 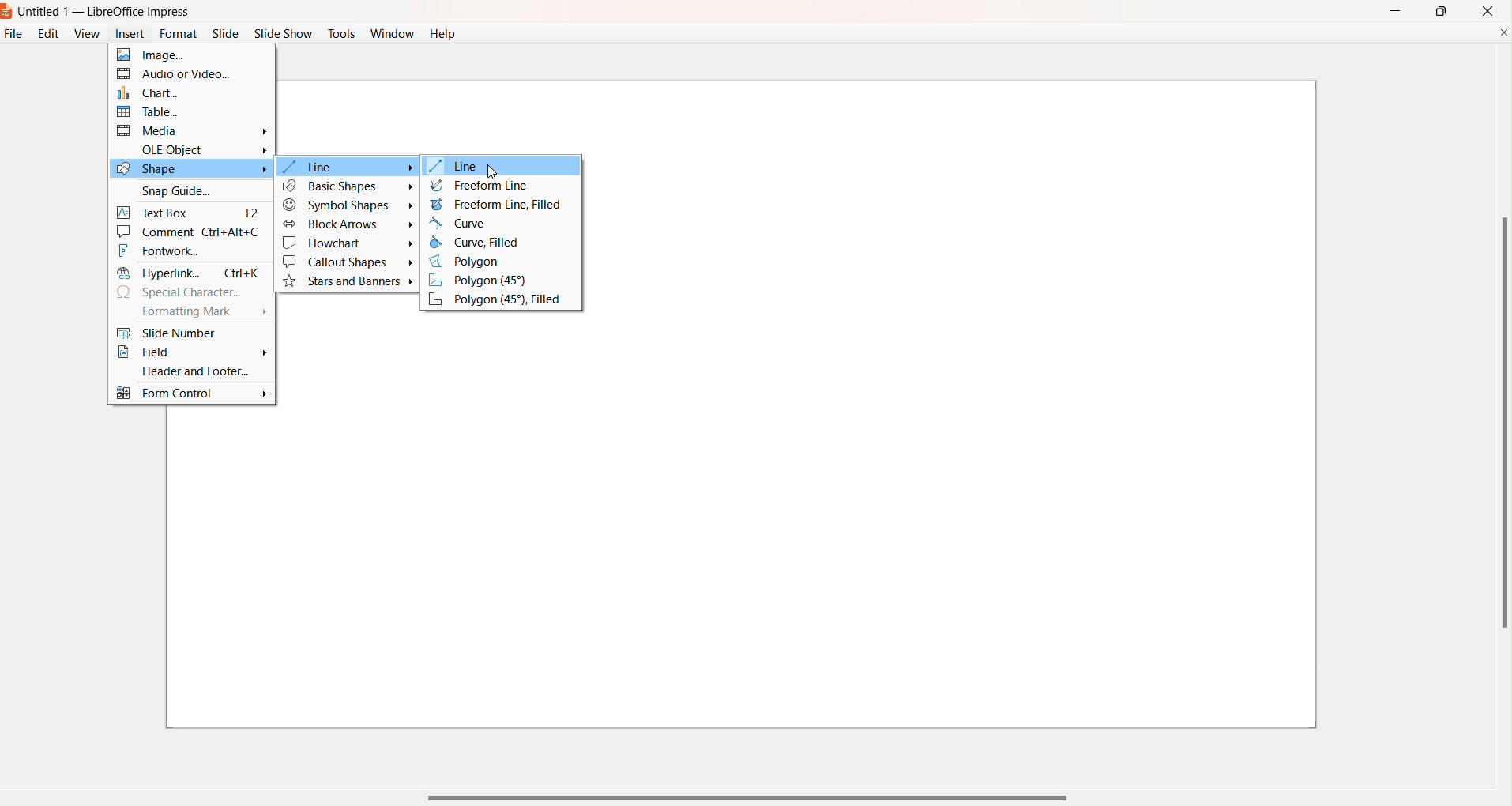 What do you see at coordinates (498, 204) in the screenshot?
I see `Freedom Line, Filled` at bounding box center [498, 204].